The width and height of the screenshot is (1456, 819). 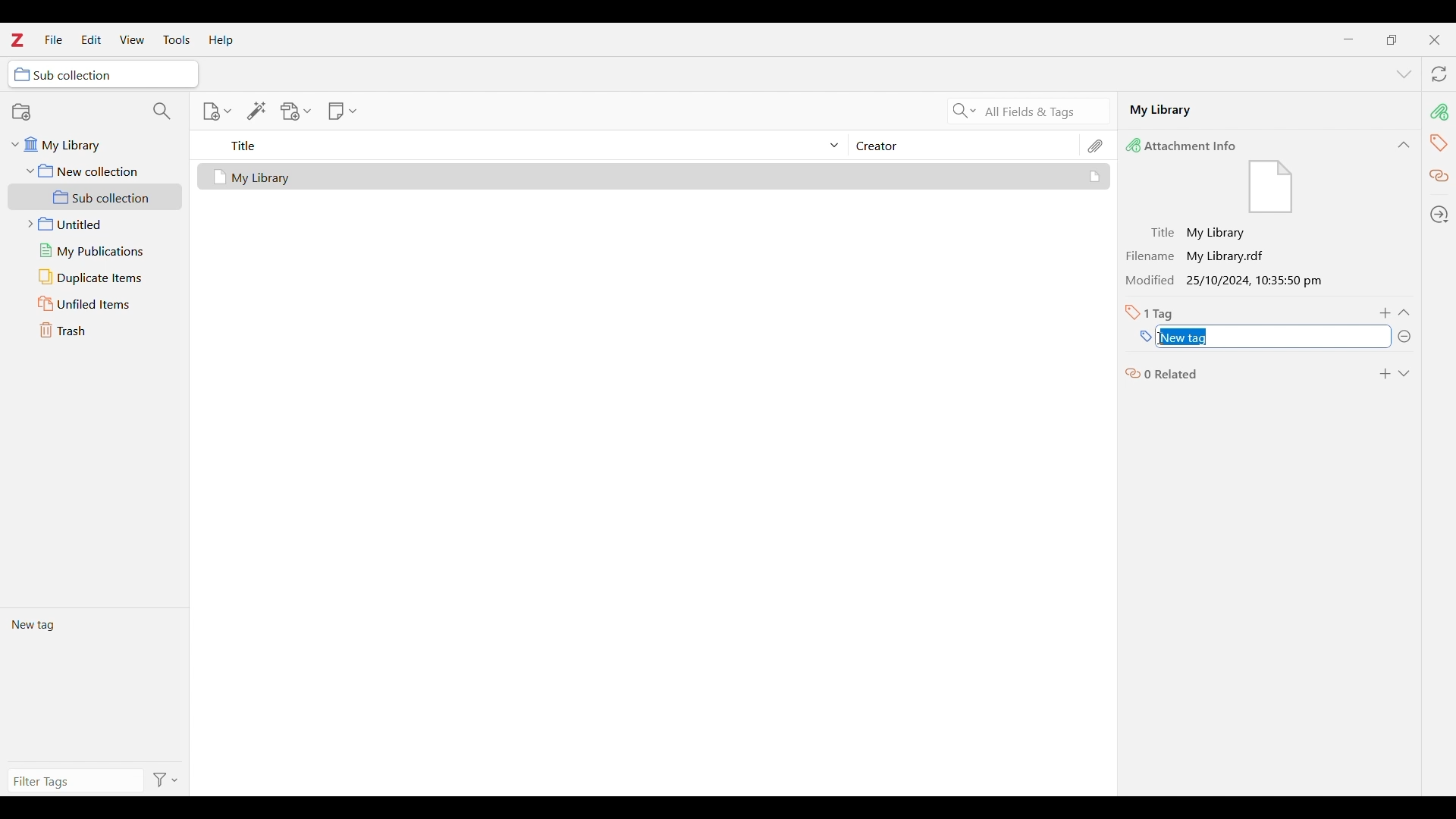 What do you see at coordinates (73, 783) in the screenshot?
I see `Type in filter tags` at bounding box center [73, 783].